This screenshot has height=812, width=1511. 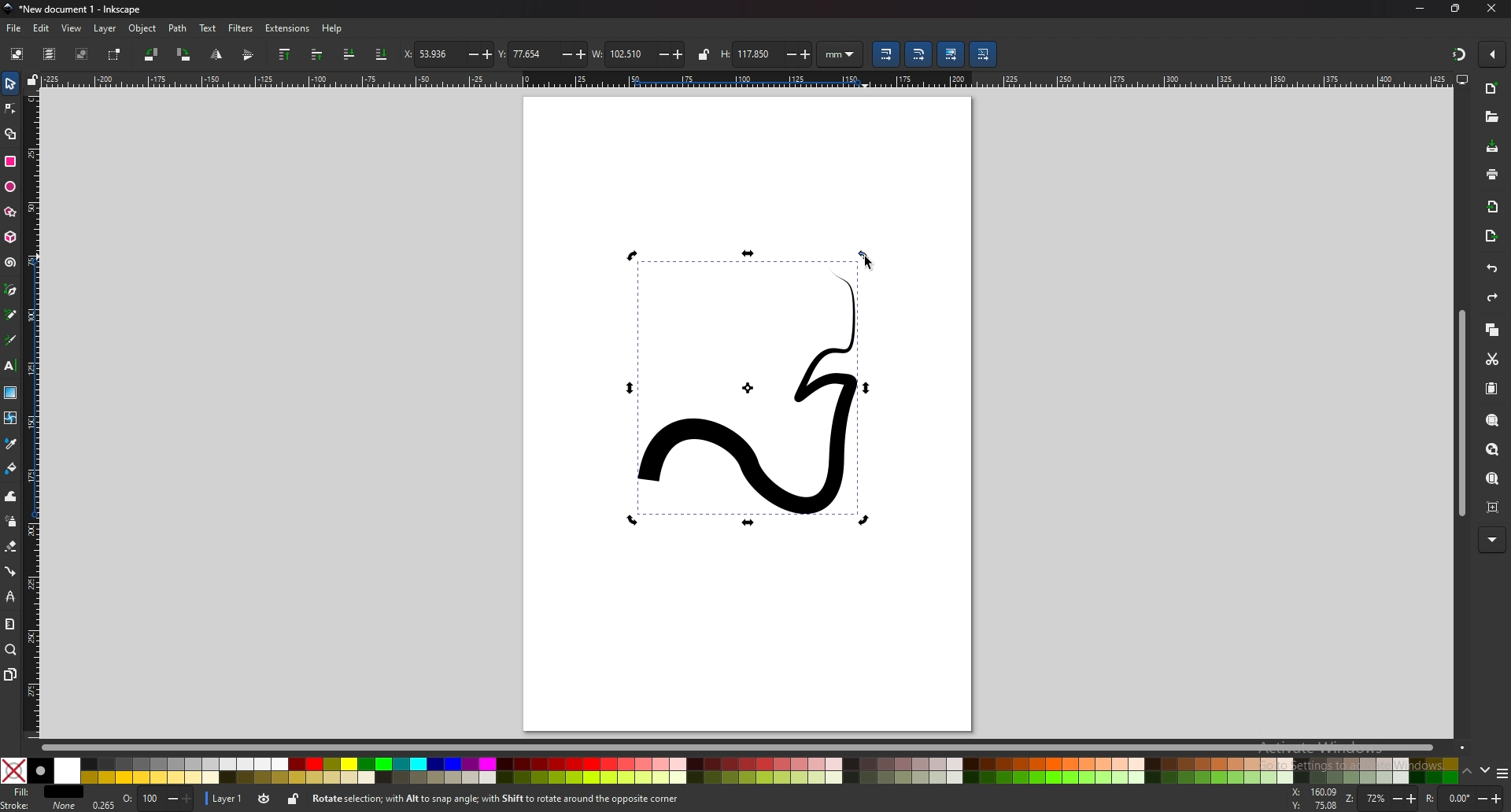 I want to click on pen, so click(x=10, y=290).